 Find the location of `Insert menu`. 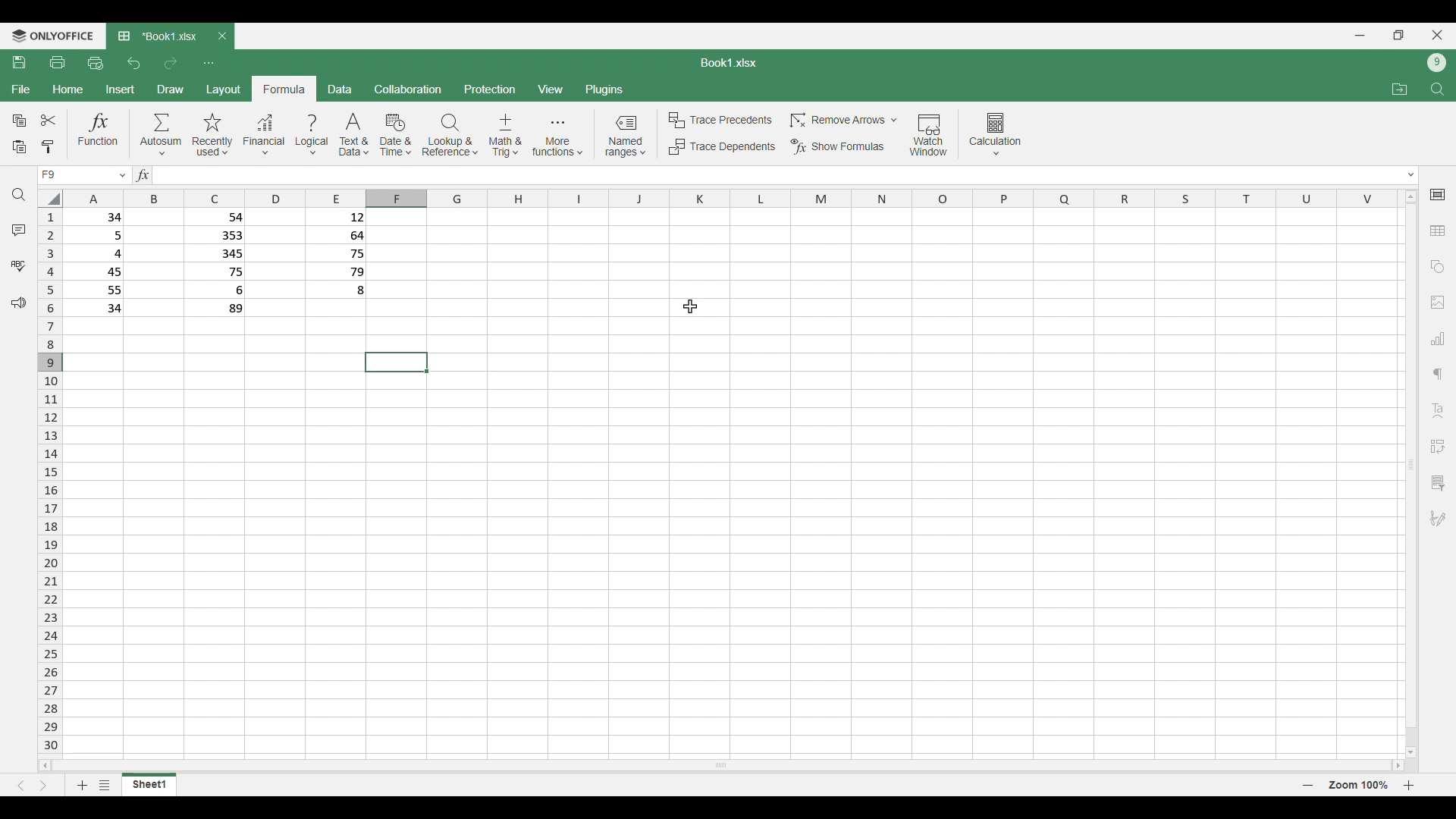

Insert menu is located at coordinates (120, 89).